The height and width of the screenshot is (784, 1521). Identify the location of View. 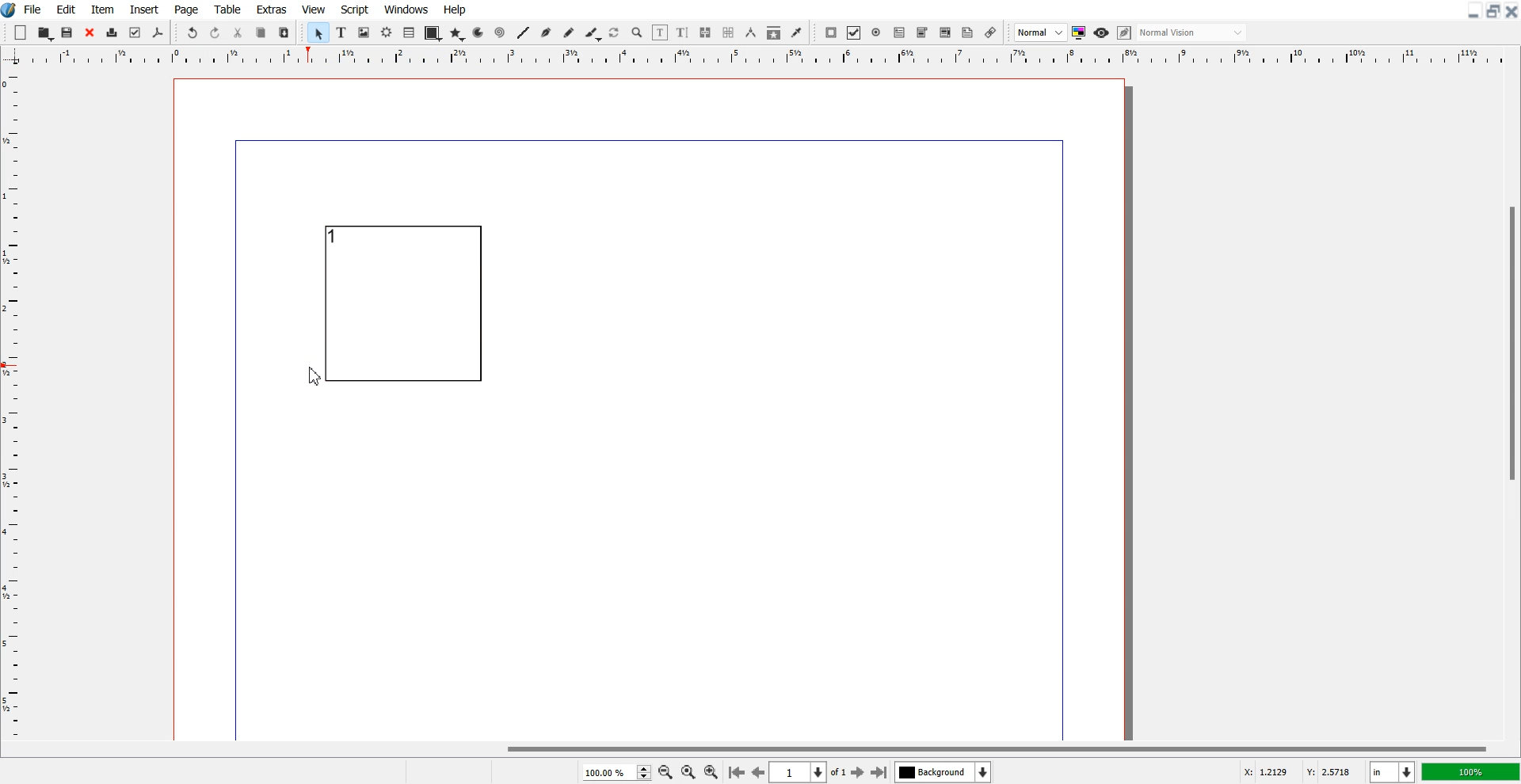
(314, 9).